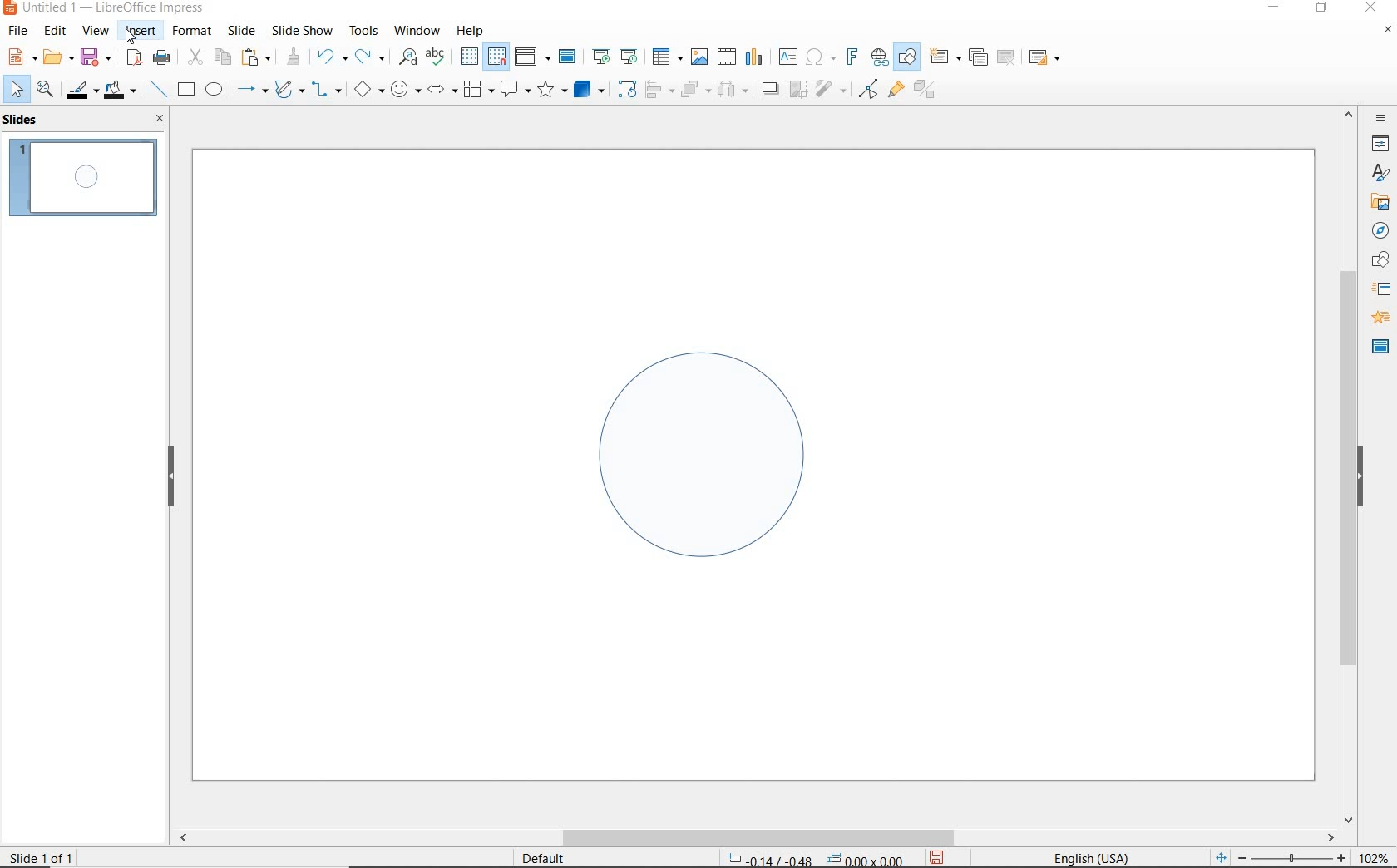 The height and width of the screenshot is (868, 1397). What do you see at coordinates (193, 57) in the screenshot?
I see `cut` at bounding box center [193, 57].